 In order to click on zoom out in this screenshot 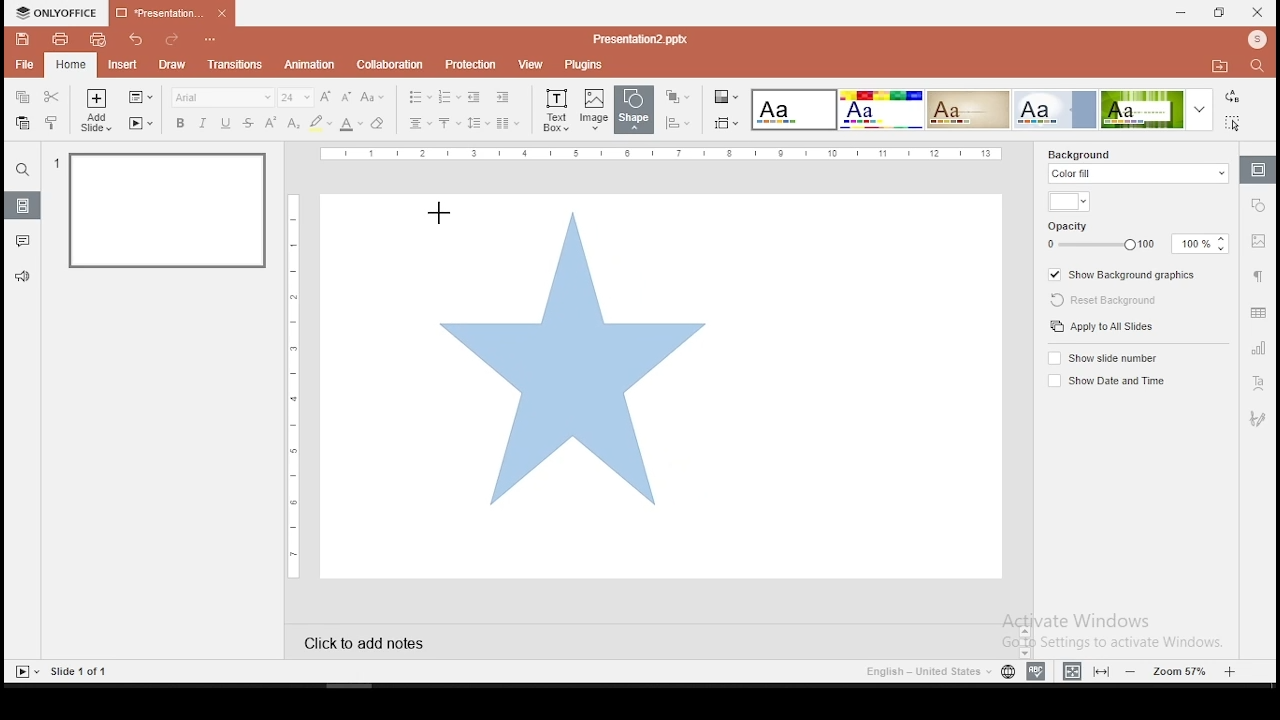, I will do `click(1134, 671)`.